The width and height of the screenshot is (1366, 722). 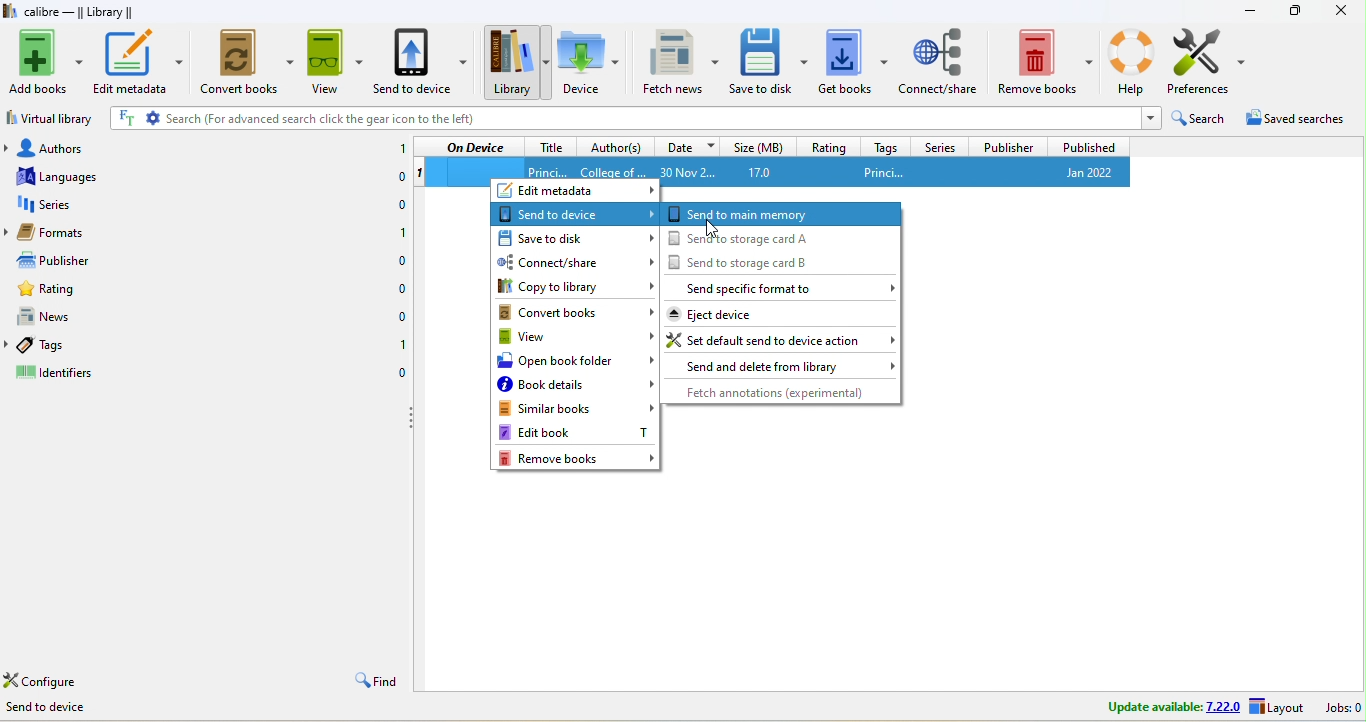 What do you see at coordinates (651, 119) in the screenshot?
I see `search (for advanced search click the gear icon to the left)` at bounding box center [651, 119].